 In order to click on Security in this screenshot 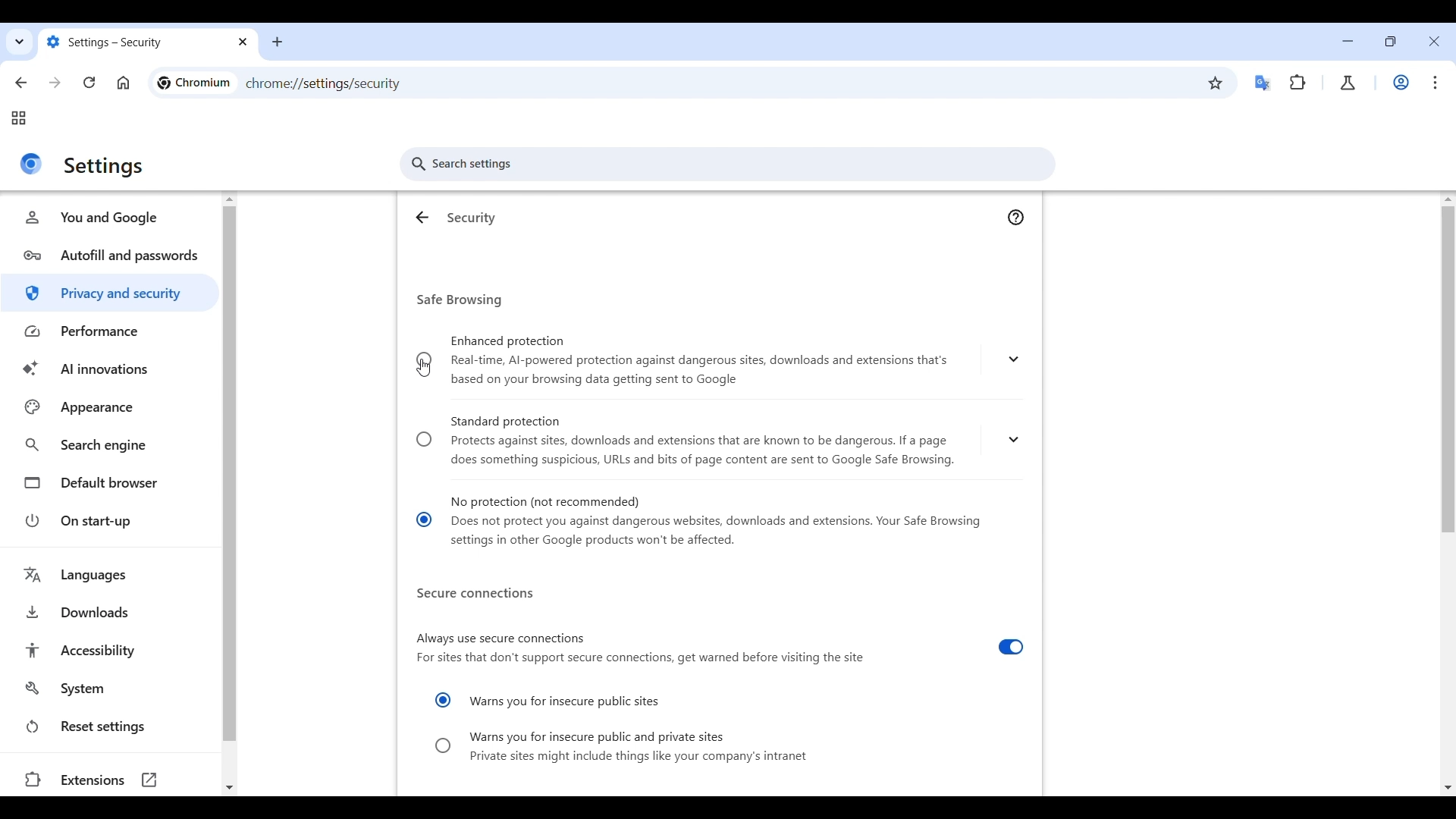, I will do `click(472, 218)`.